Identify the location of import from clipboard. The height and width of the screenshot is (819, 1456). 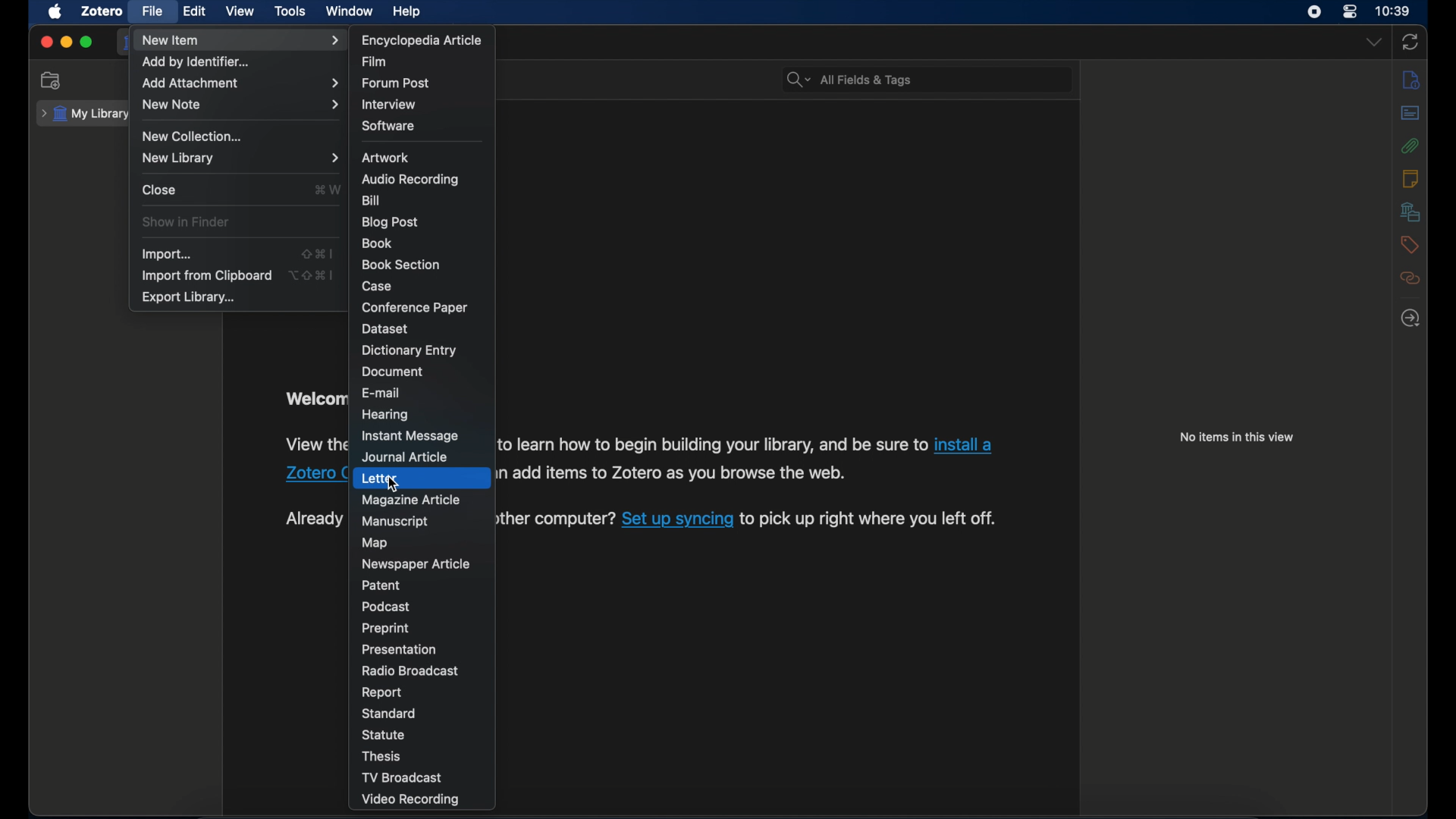
(206, 275).